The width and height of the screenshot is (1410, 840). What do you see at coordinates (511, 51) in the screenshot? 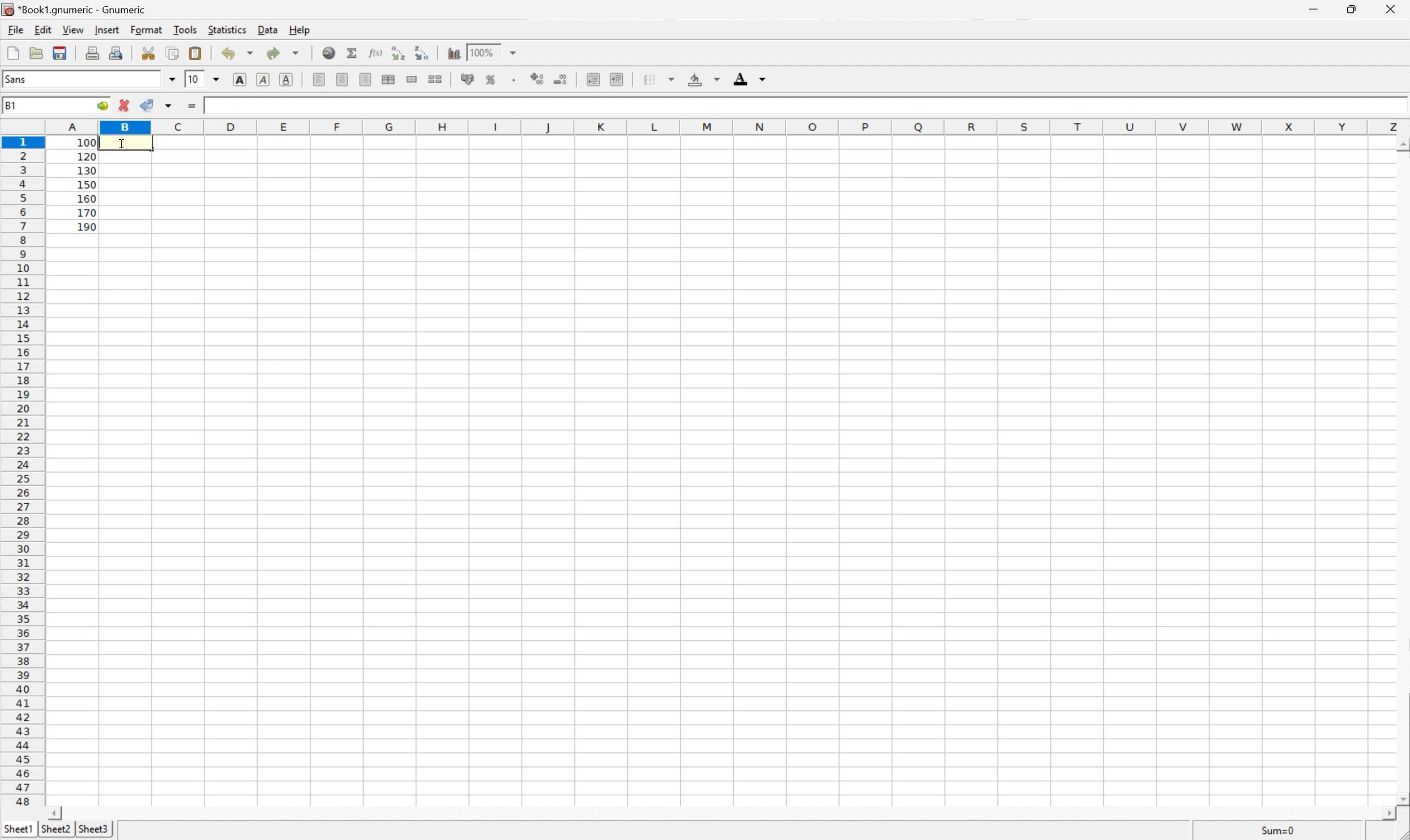
I see `Drop Down` at bounding box center [511, 51].